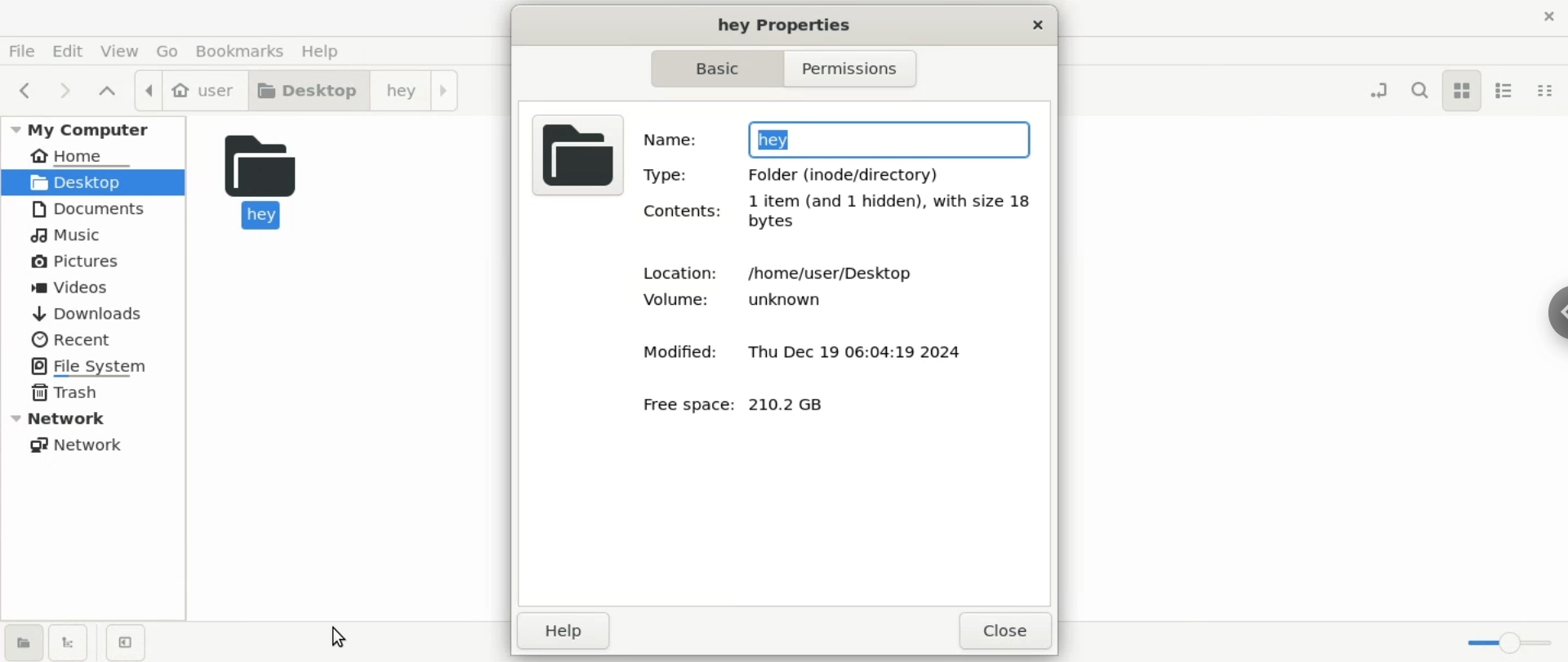 This screenshot has width=1568, height=662. I want to click on compact view, so click(1545, 91).